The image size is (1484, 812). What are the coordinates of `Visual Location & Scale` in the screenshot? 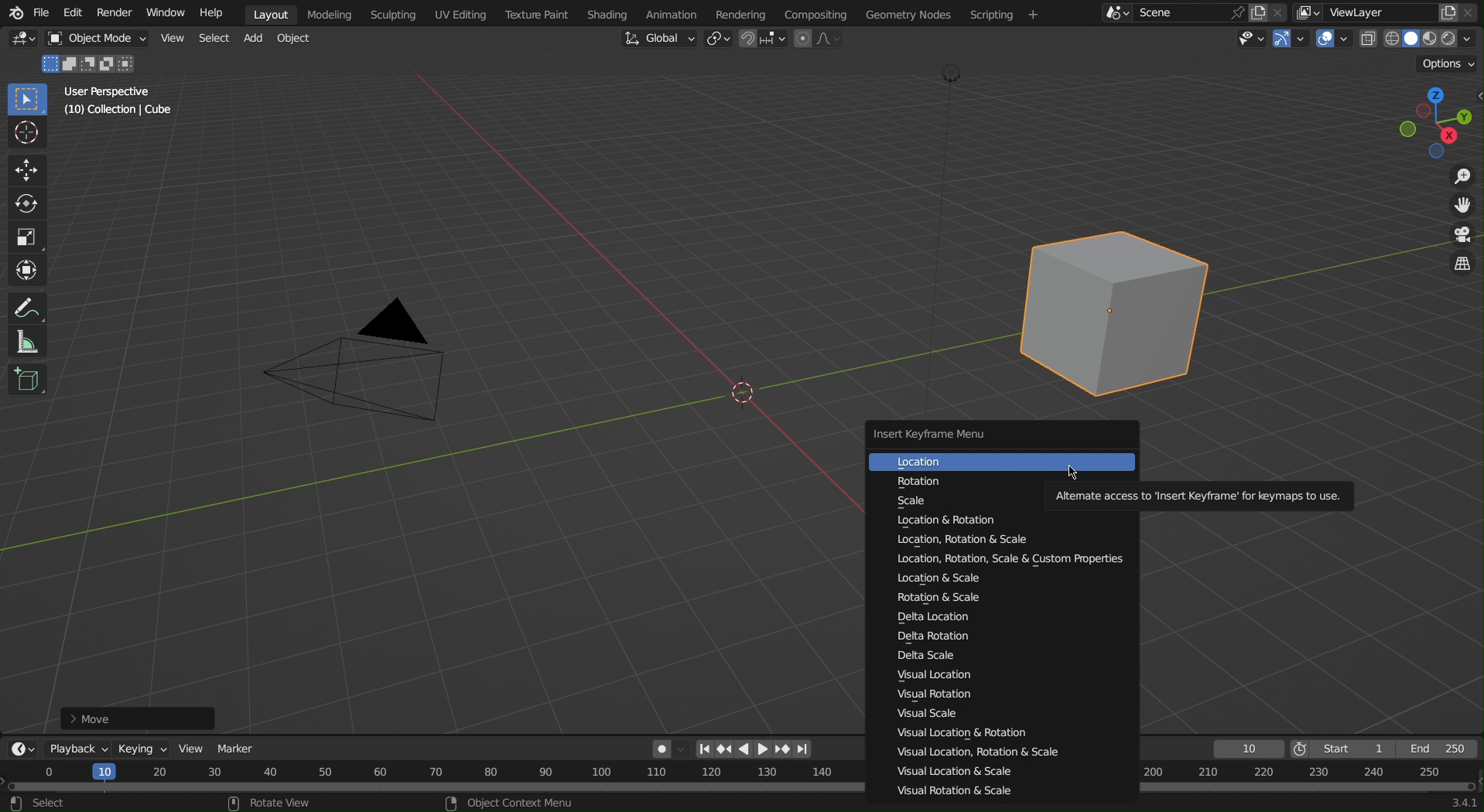 It's located at (967, 773).